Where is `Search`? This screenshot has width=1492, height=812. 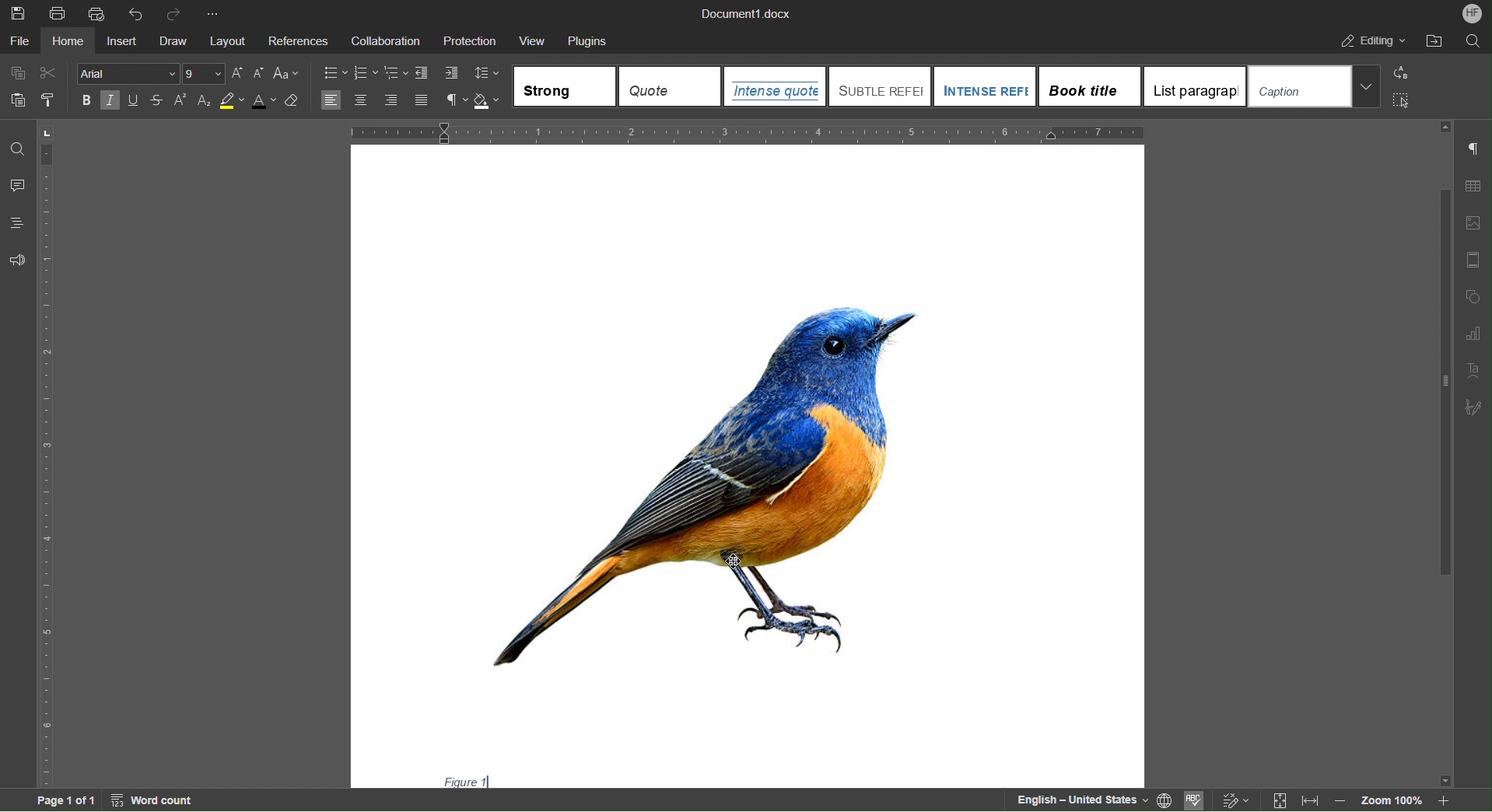 Search is located at coordinates (1473, 41).